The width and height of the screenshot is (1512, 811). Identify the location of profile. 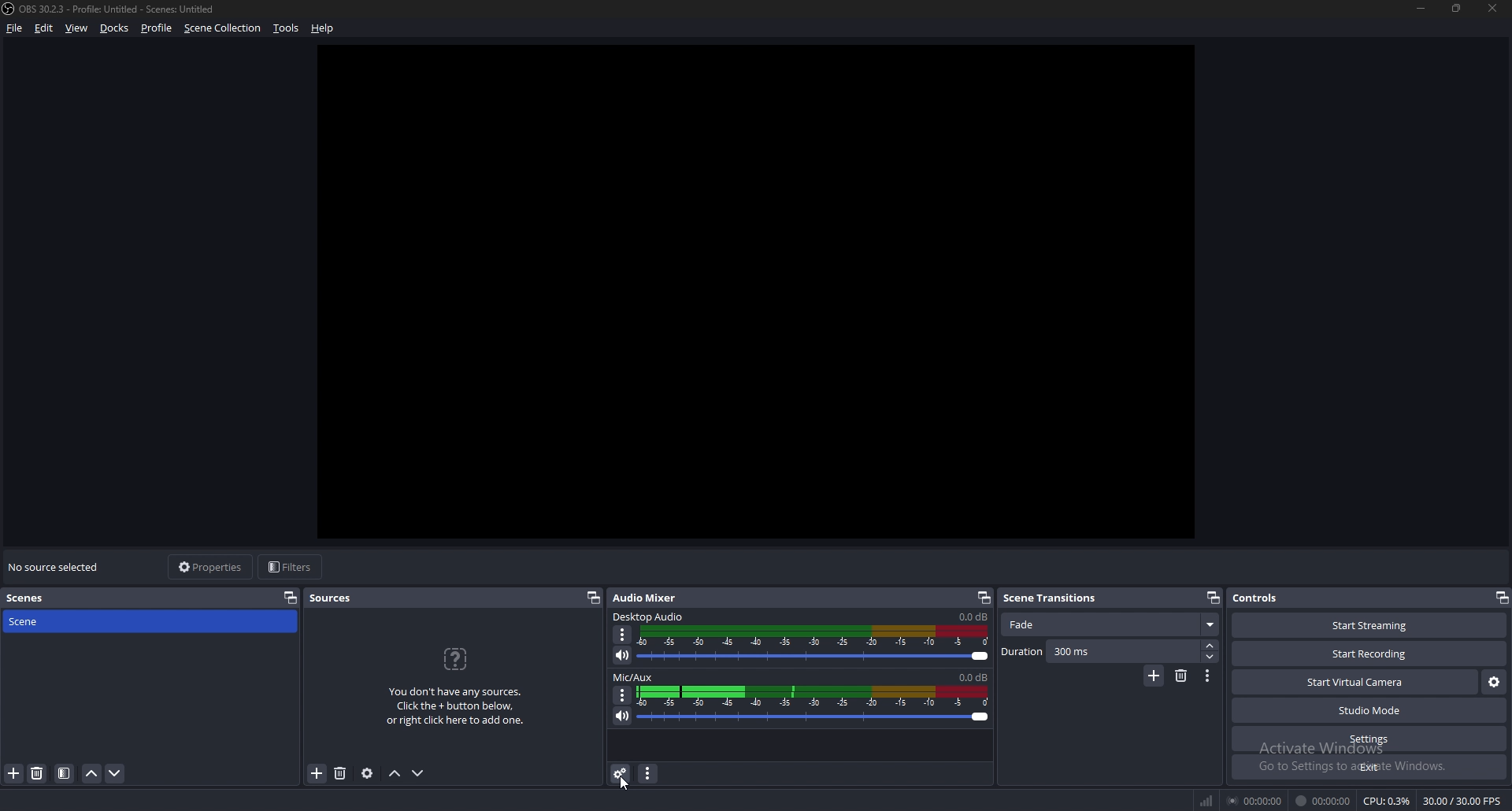
(157, 28).